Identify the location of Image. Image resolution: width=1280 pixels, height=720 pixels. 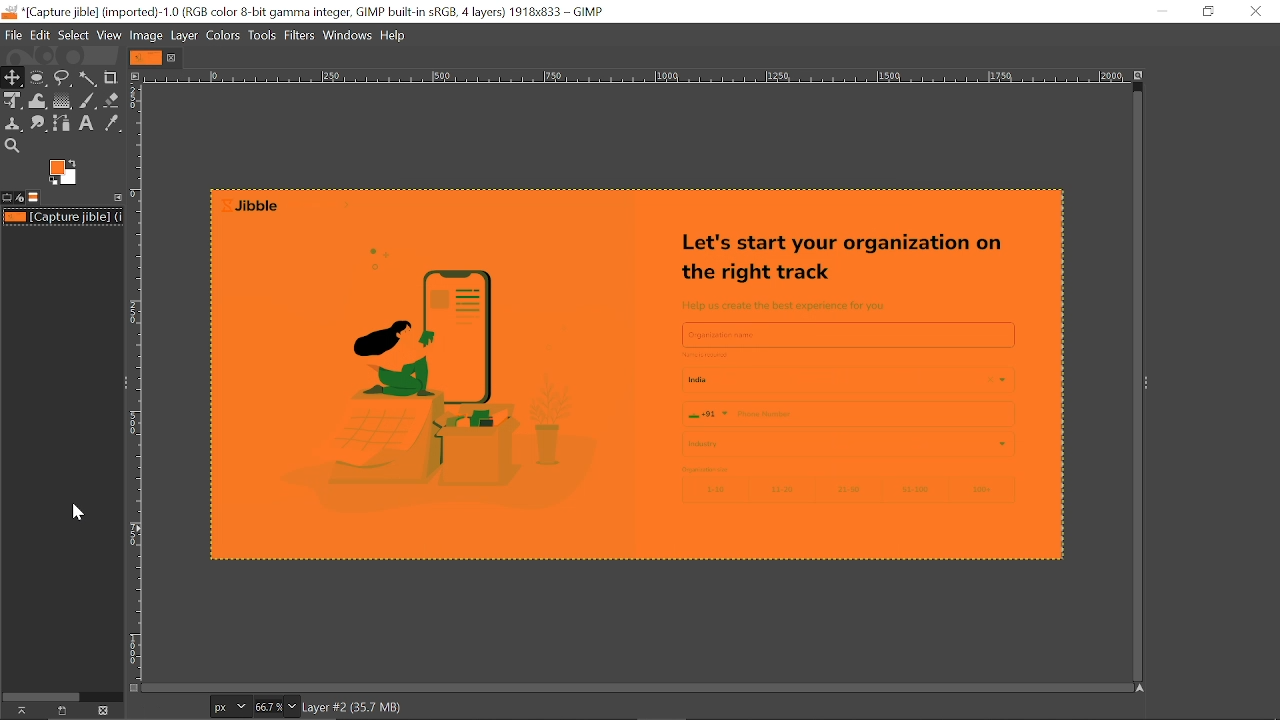
(147, 35).